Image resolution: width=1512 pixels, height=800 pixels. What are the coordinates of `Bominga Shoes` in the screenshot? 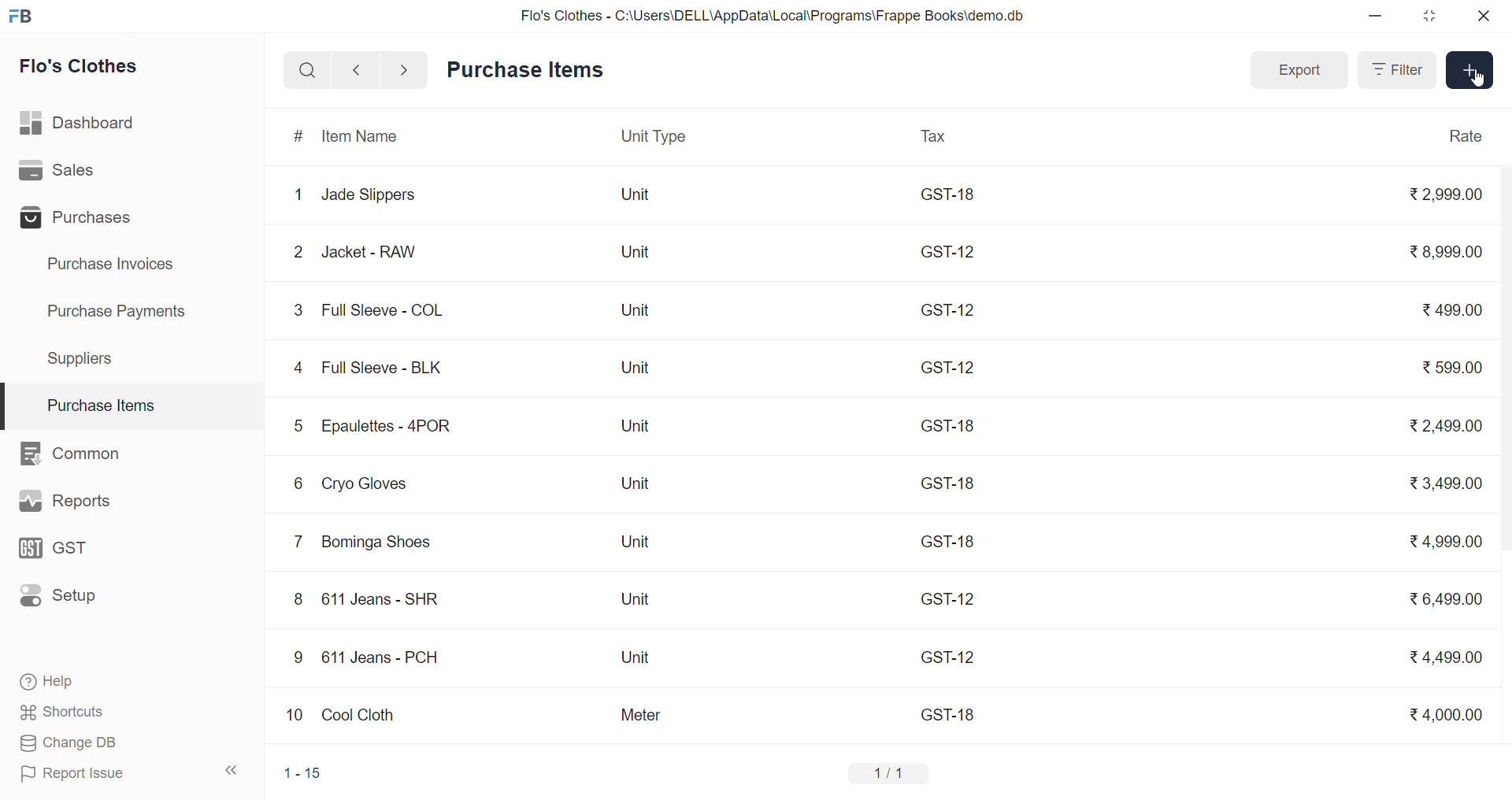 It's located at (383, 541).